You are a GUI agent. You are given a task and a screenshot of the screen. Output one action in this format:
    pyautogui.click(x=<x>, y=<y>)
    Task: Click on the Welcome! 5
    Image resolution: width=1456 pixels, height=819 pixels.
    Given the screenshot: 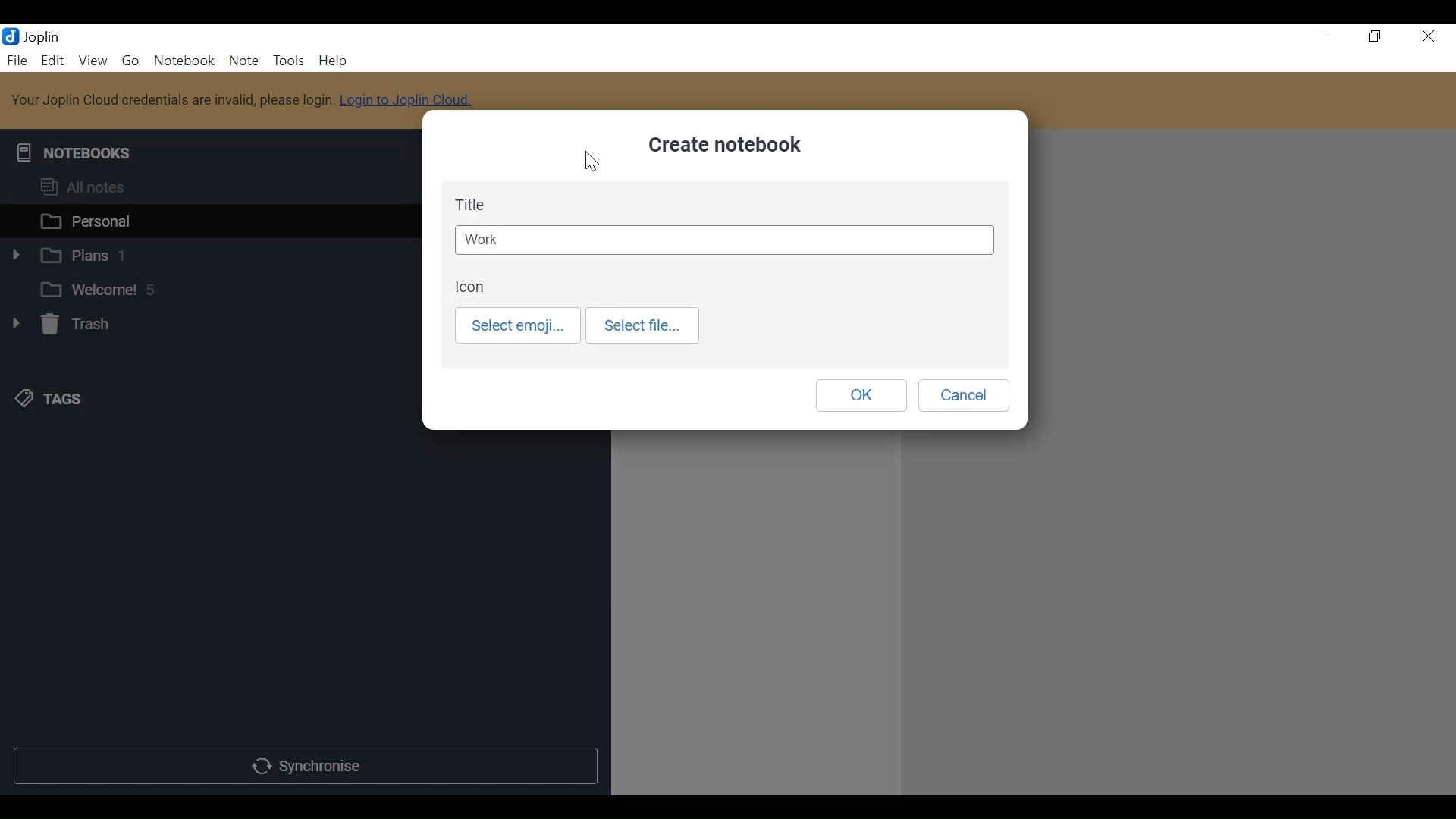 What is the action you would take?
    pyautogui.click(x=208, y=288)
    